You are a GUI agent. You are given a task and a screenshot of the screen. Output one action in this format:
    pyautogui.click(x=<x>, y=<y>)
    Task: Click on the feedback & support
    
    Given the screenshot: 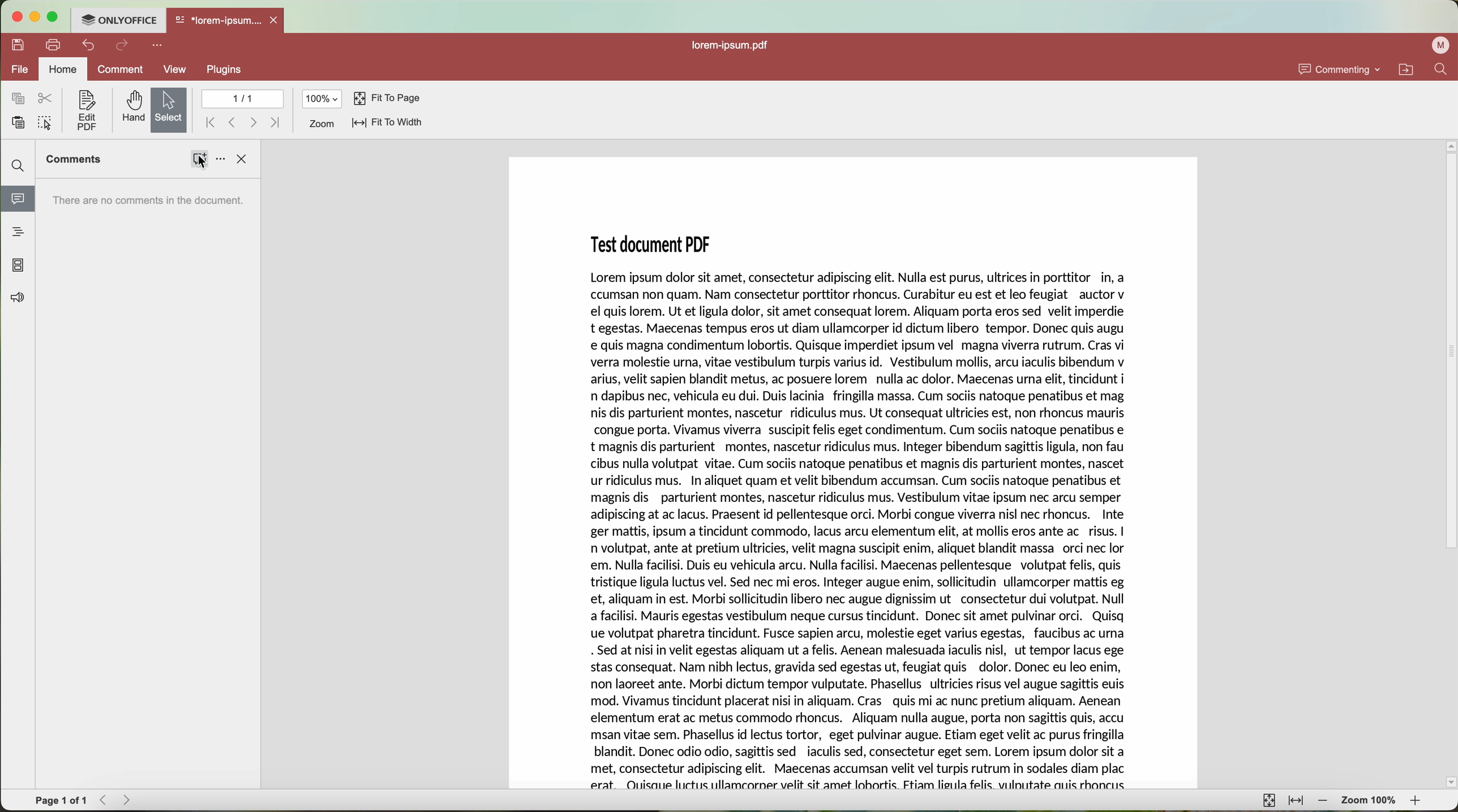 What is the action you would take?
    pyautogui.click(x=18, y=299)
    